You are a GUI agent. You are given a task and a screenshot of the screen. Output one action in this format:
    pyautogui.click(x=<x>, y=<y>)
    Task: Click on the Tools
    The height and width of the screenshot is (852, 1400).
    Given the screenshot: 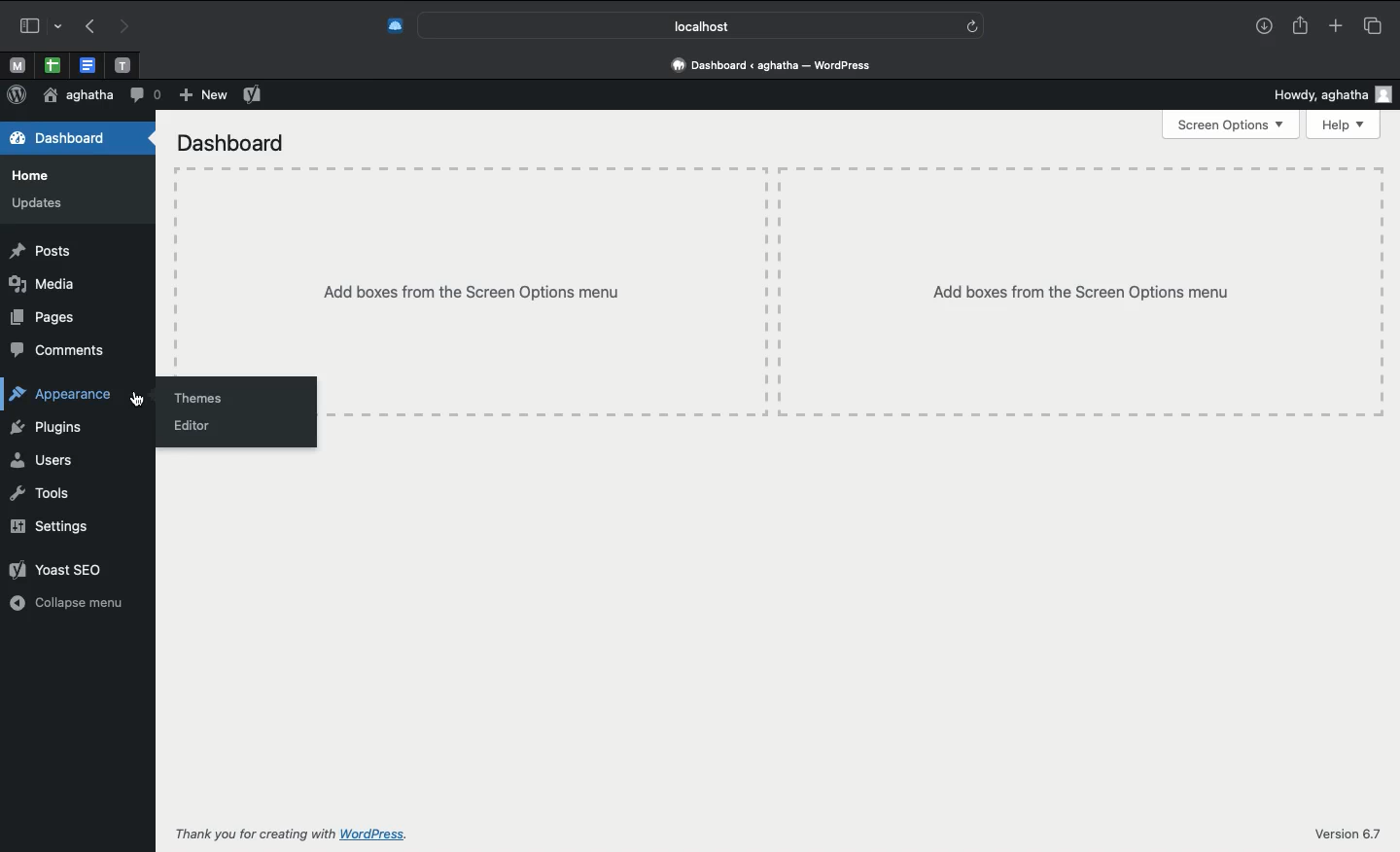 What is the action you would take?
    pyautogui.click(x=40, y=494)
    